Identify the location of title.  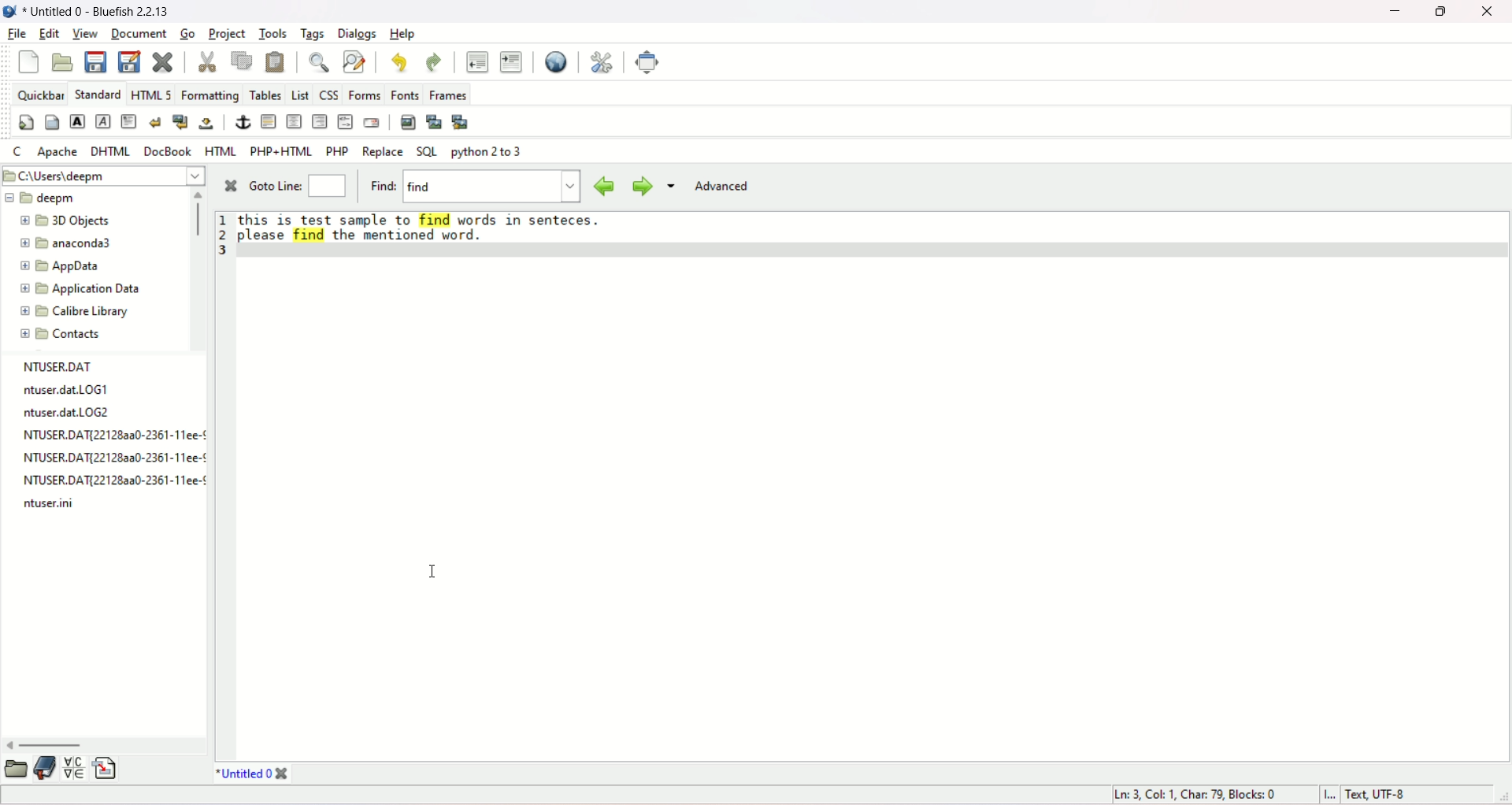
(100, 12).